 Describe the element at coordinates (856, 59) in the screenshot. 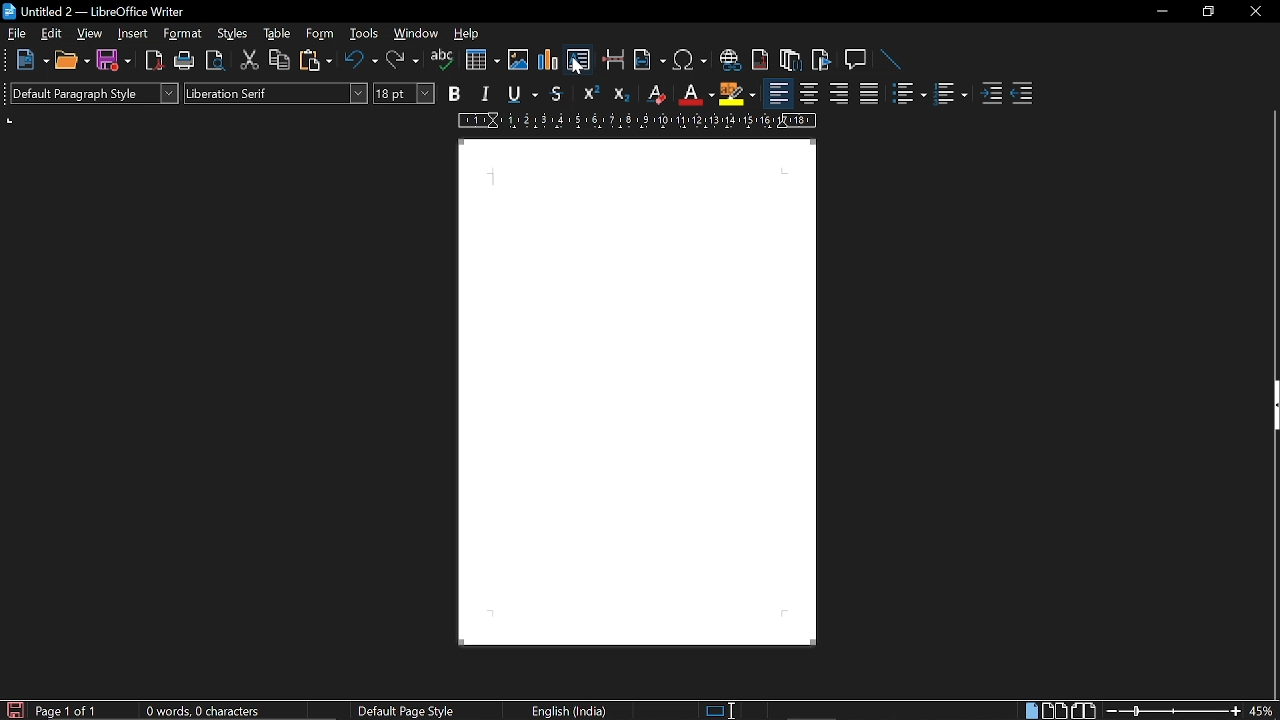

I see `insert comment` at that location.